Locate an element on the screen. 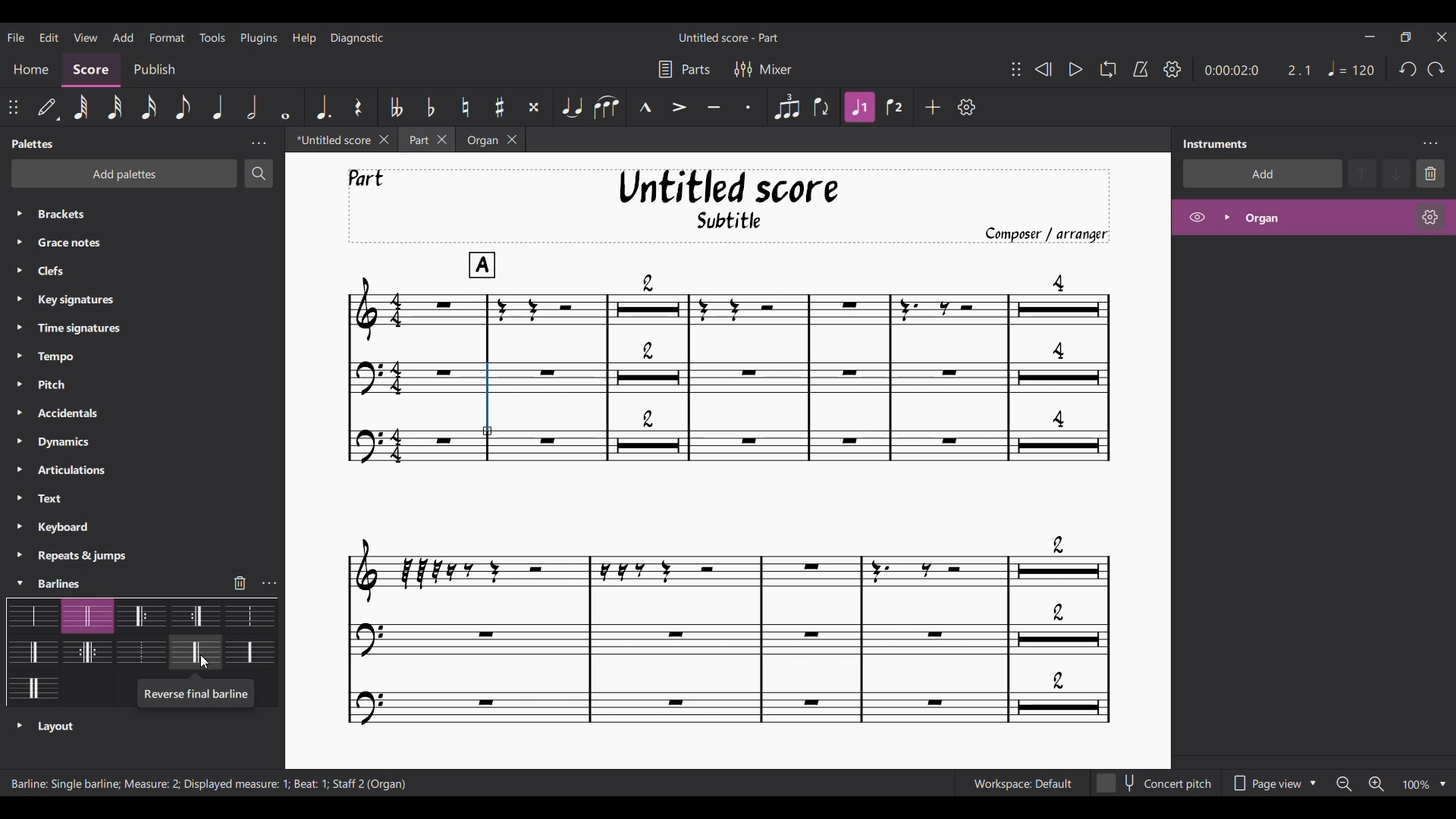 This screenshot has width=1456, height=819. Parts is located at coordinates (685, 70).